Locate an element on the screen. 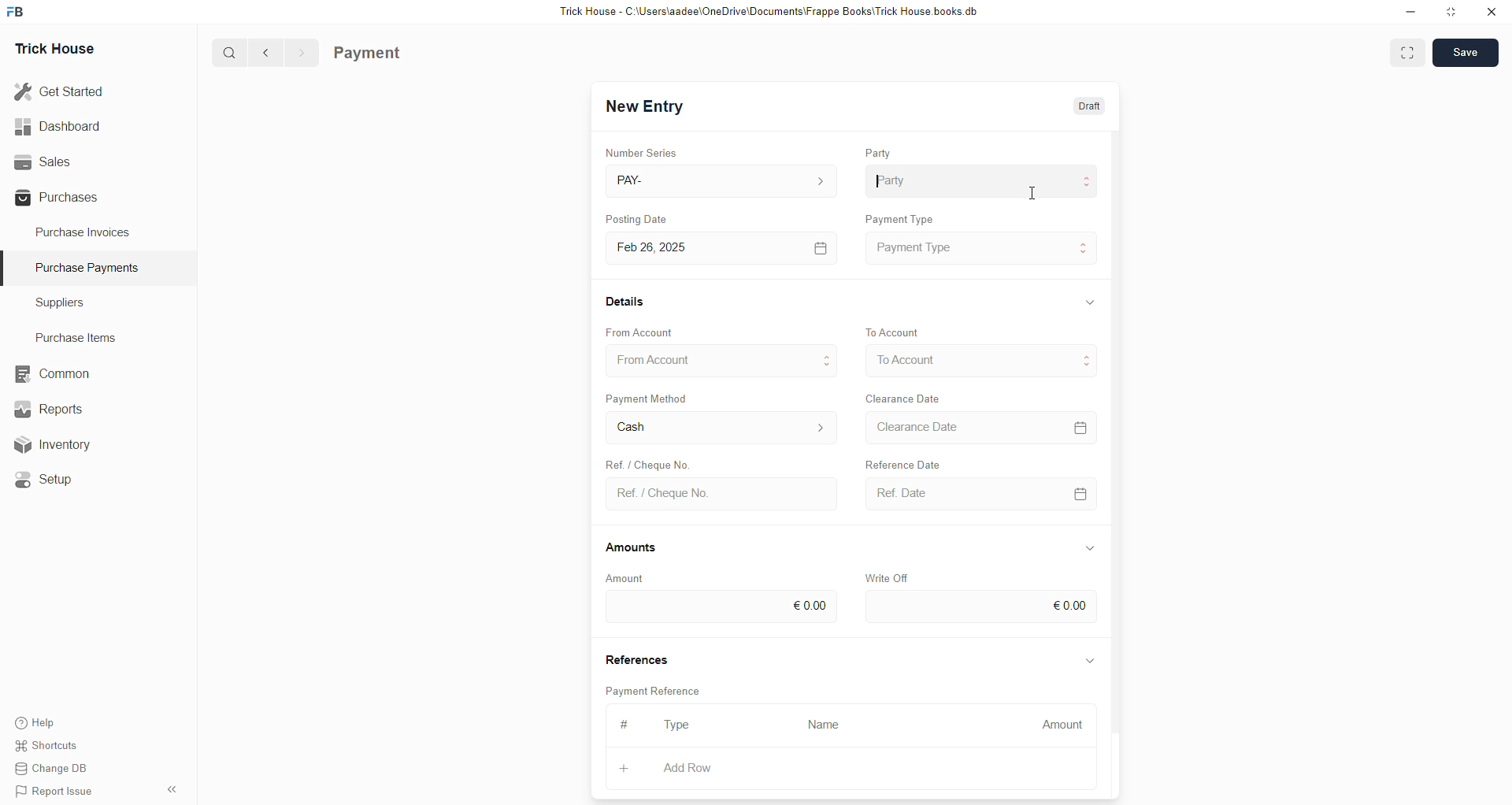 Image resolution: width=1512 pixels, height=805 pixels.  Payment Type is located at coordinates (981, 247).